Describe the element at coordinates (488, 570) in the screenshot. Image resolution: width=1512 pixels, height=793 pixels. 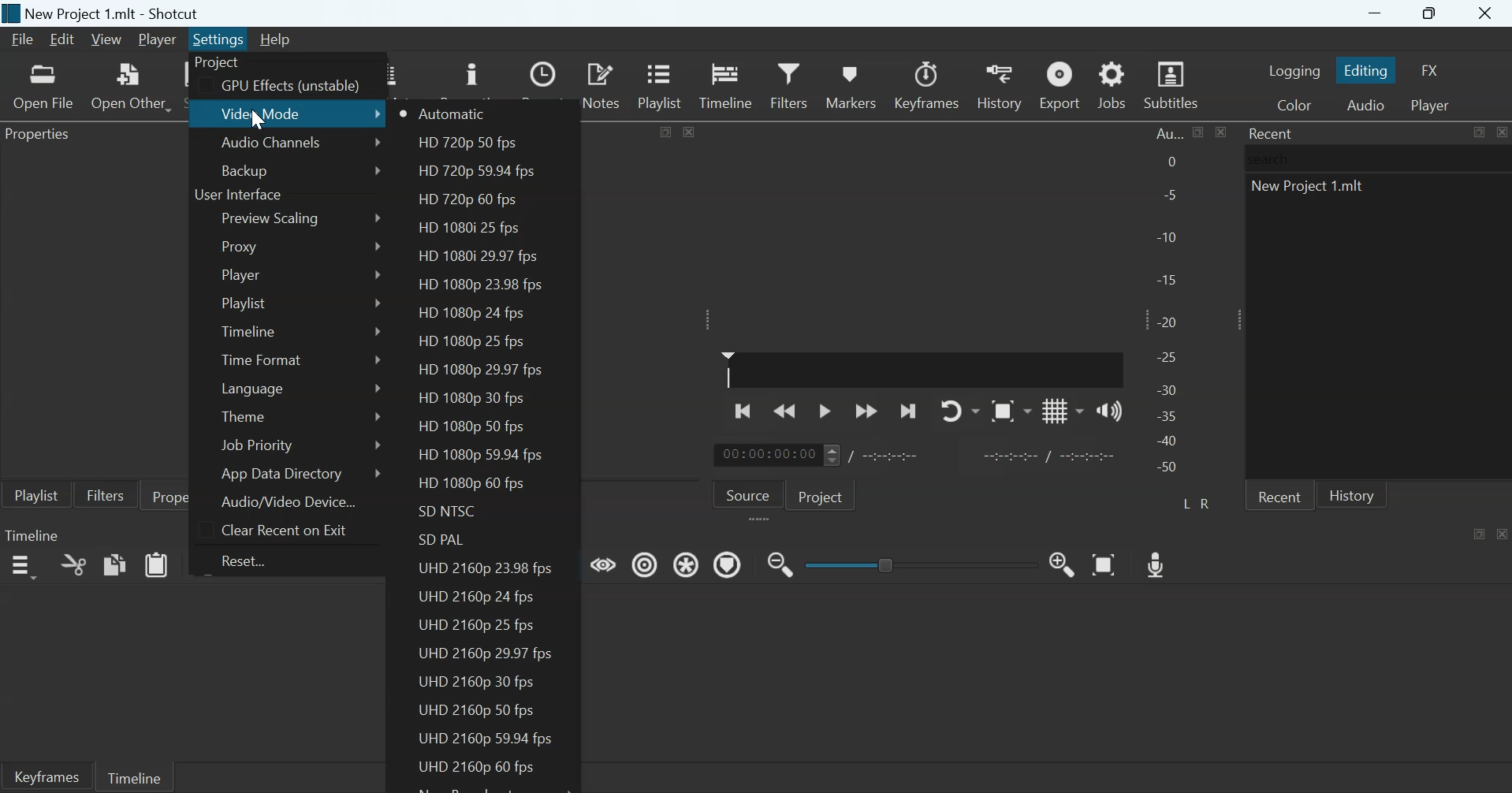
I see `UHD 2160p 23.98 fps` at that location.